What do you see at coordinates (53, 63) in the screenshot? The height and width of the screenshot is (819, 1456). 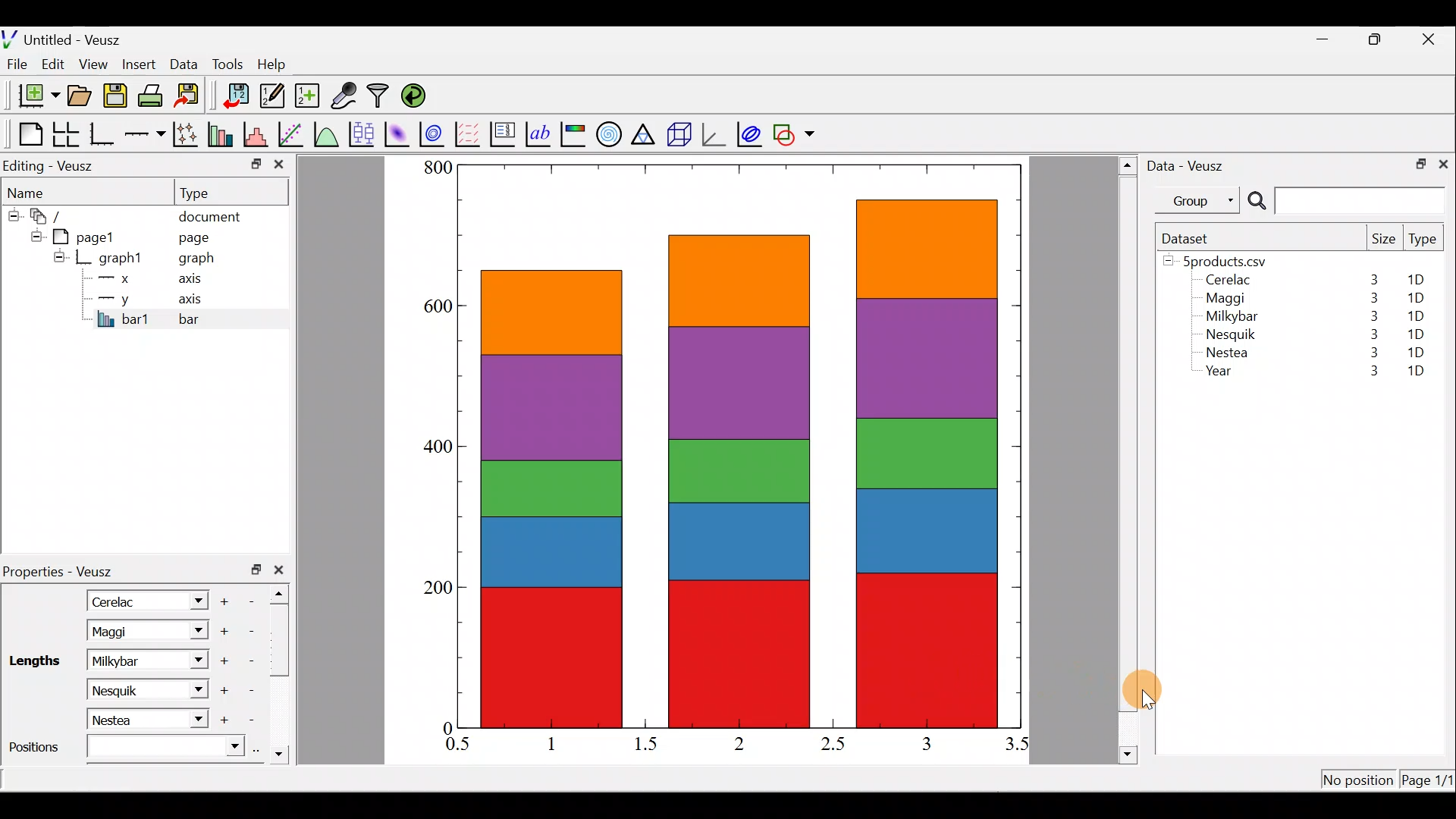 I see `Edit` at bounding box center [53, 63].